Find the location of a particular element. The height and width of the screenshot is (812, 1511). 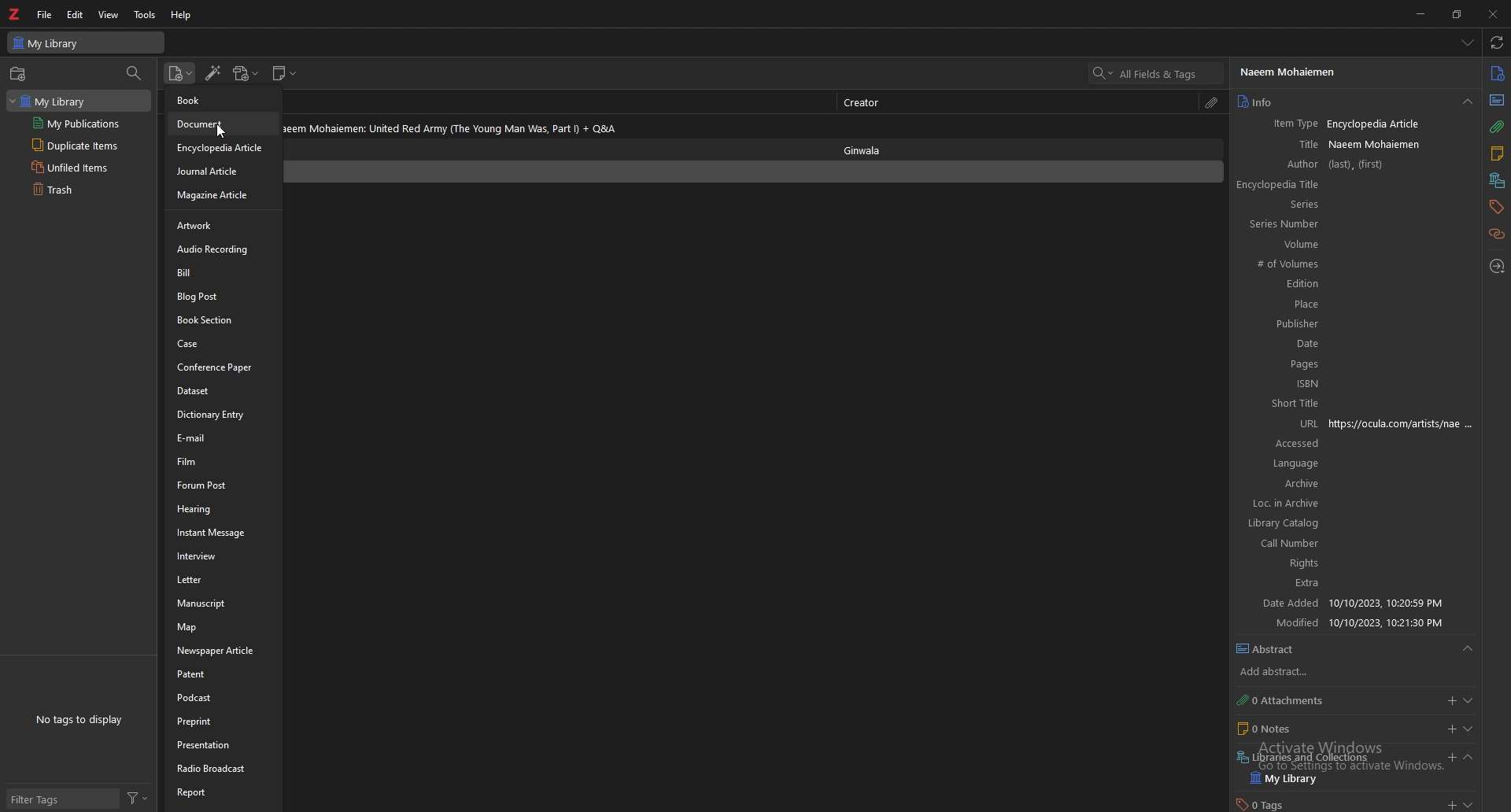

drop down is located at coordinates (1468, 103).